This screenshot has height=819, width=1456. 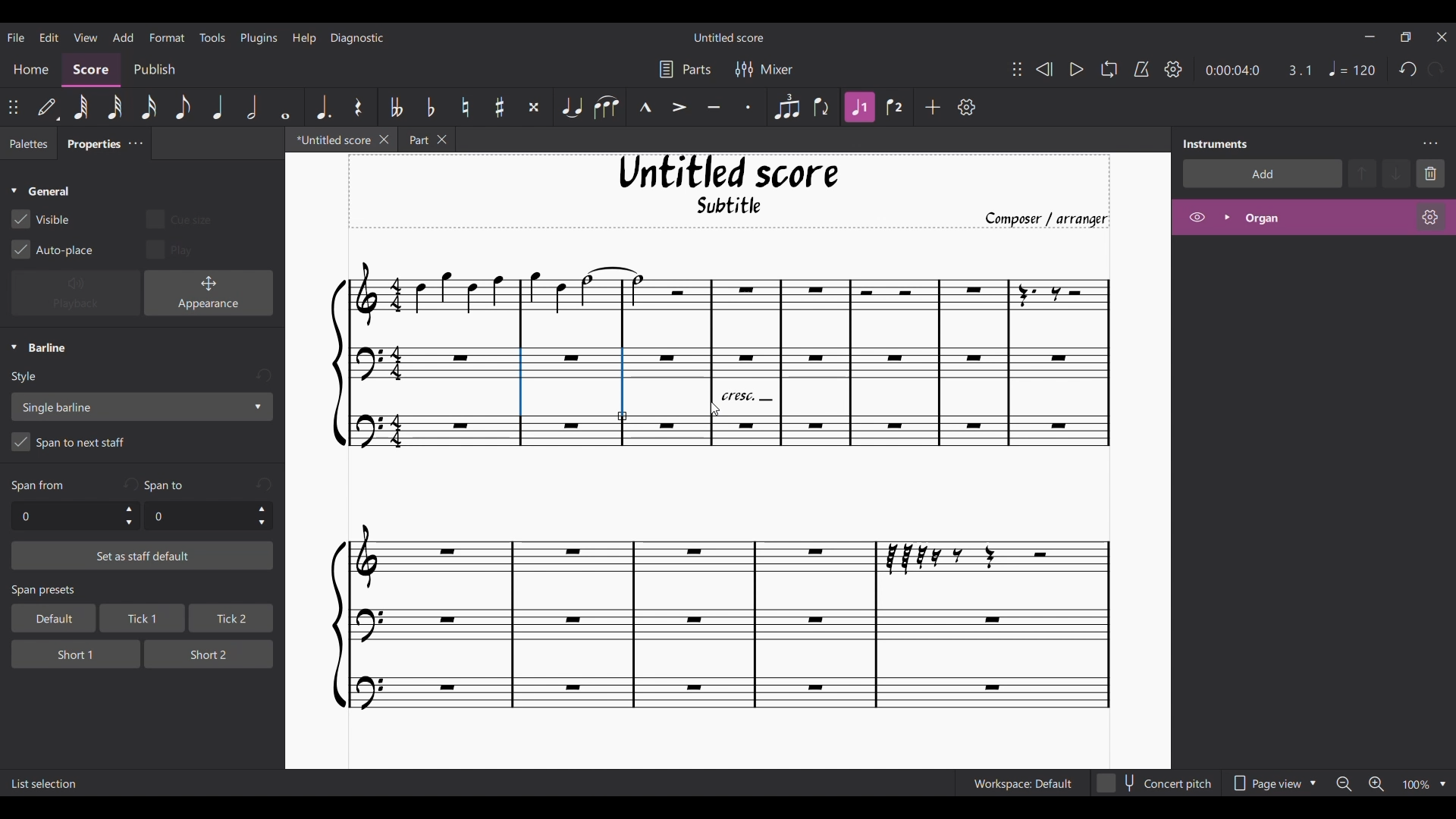 What do you see at coordinates (1363, 173) in the screenshot?
I see `Move selection up` at bounding box center [1363, 173].